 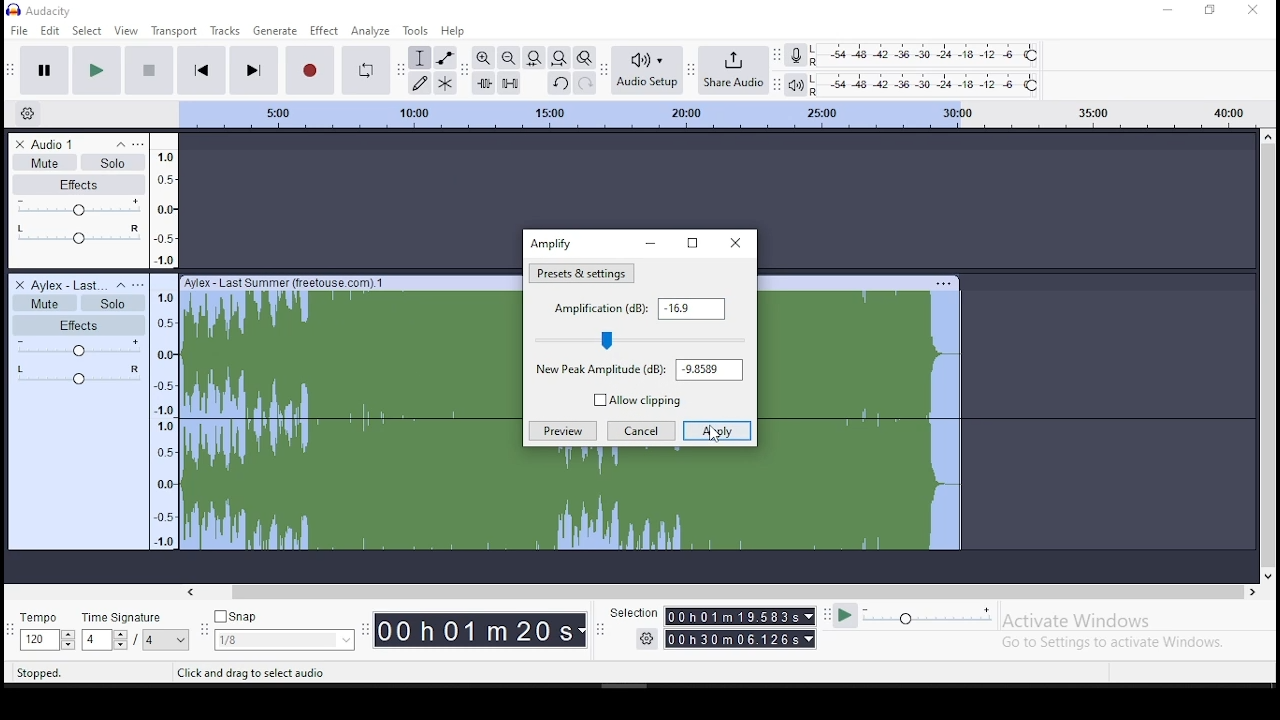 What do you see at coordinates (559, 83) in the screenshot?
I see `undo` at bounding box center [559, 83].